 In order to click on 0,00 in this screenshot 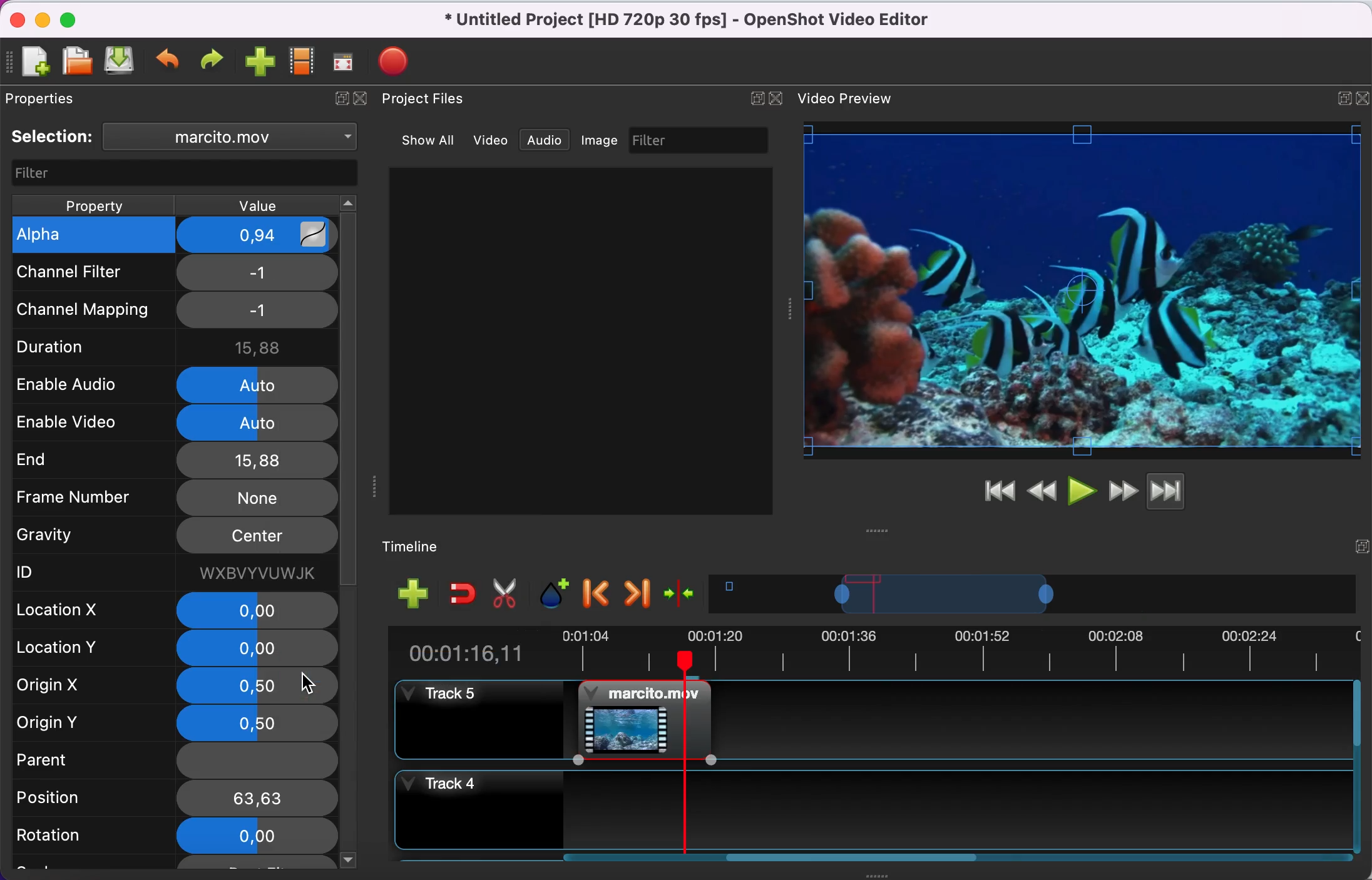, I will do `click(259, 649)`.